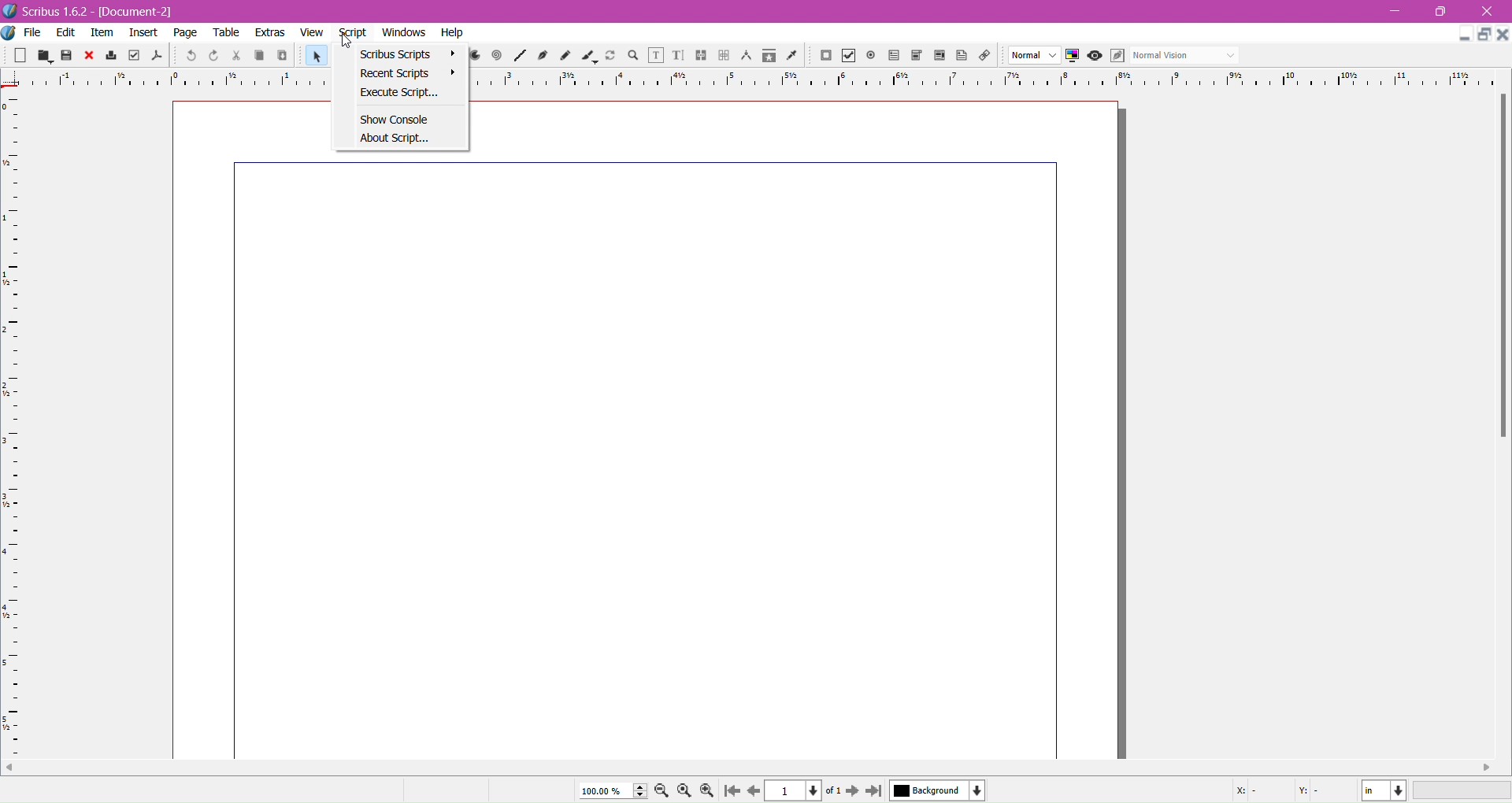  I want to click on Close, so click(87, 56).